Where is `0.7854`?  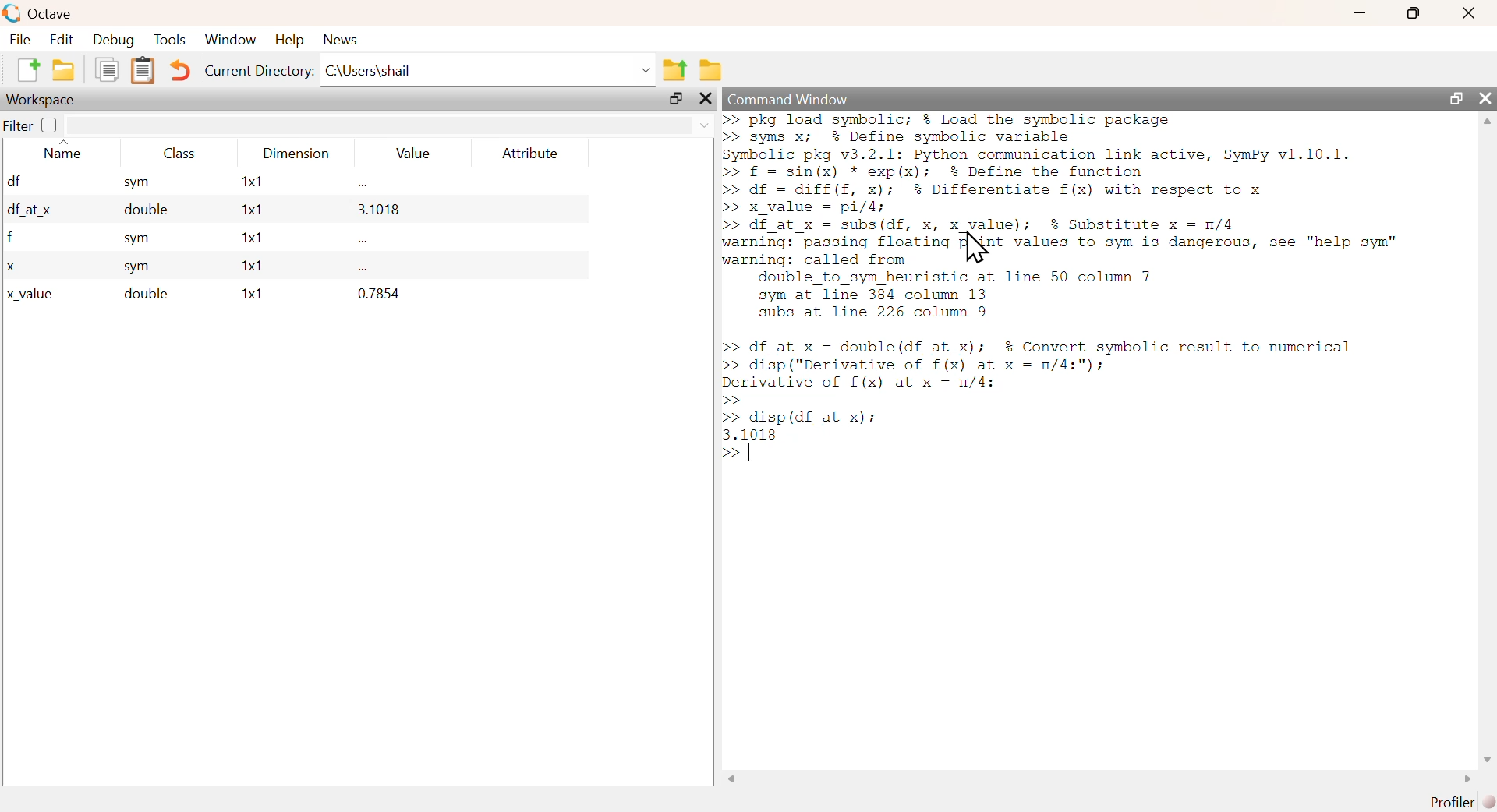
0.7854 is located at coordinates (379, 293).